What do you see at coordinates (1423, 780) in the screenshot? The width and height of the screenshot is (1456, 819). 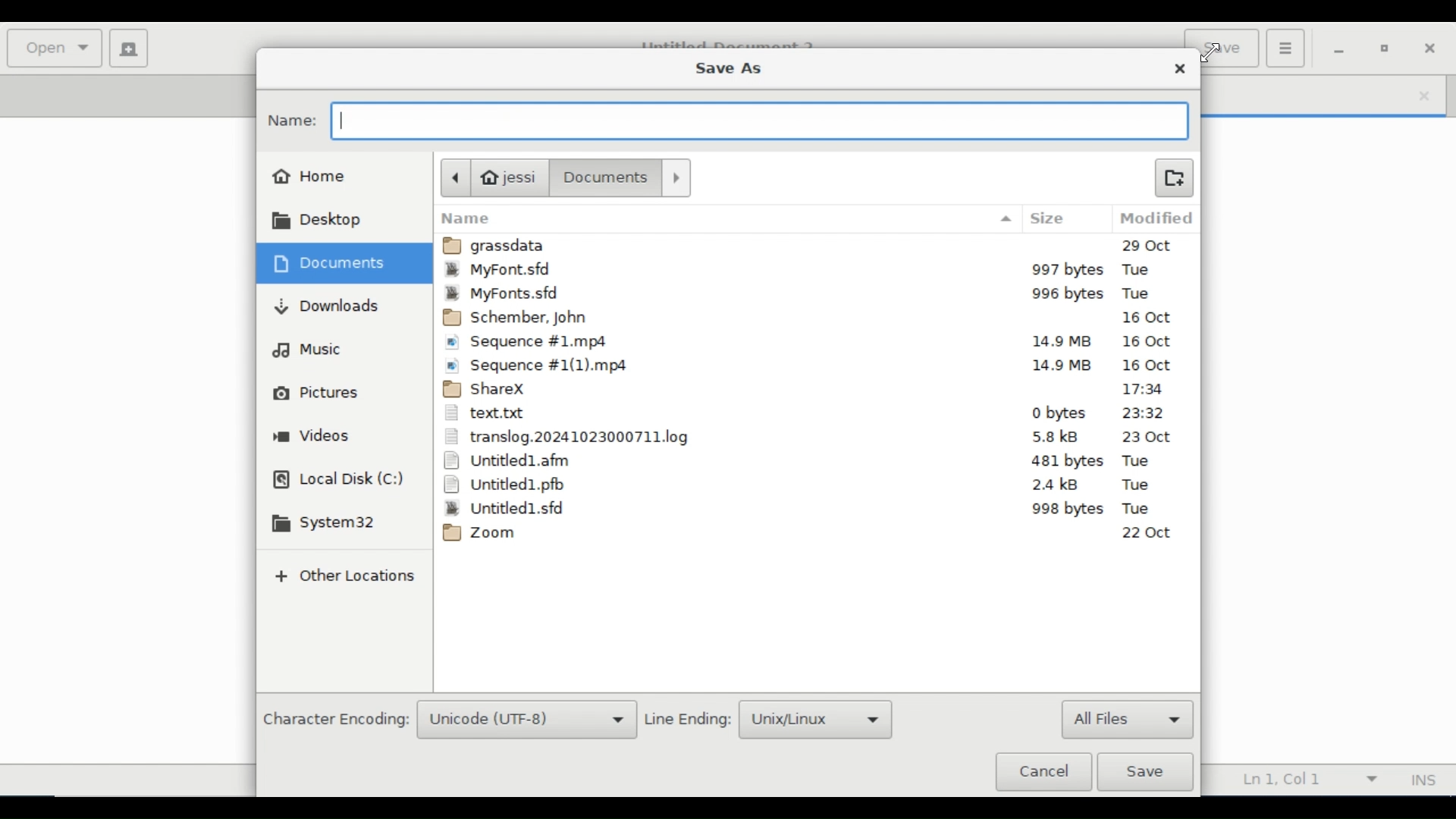 I see `INS` at bounding box center [1423, 780].